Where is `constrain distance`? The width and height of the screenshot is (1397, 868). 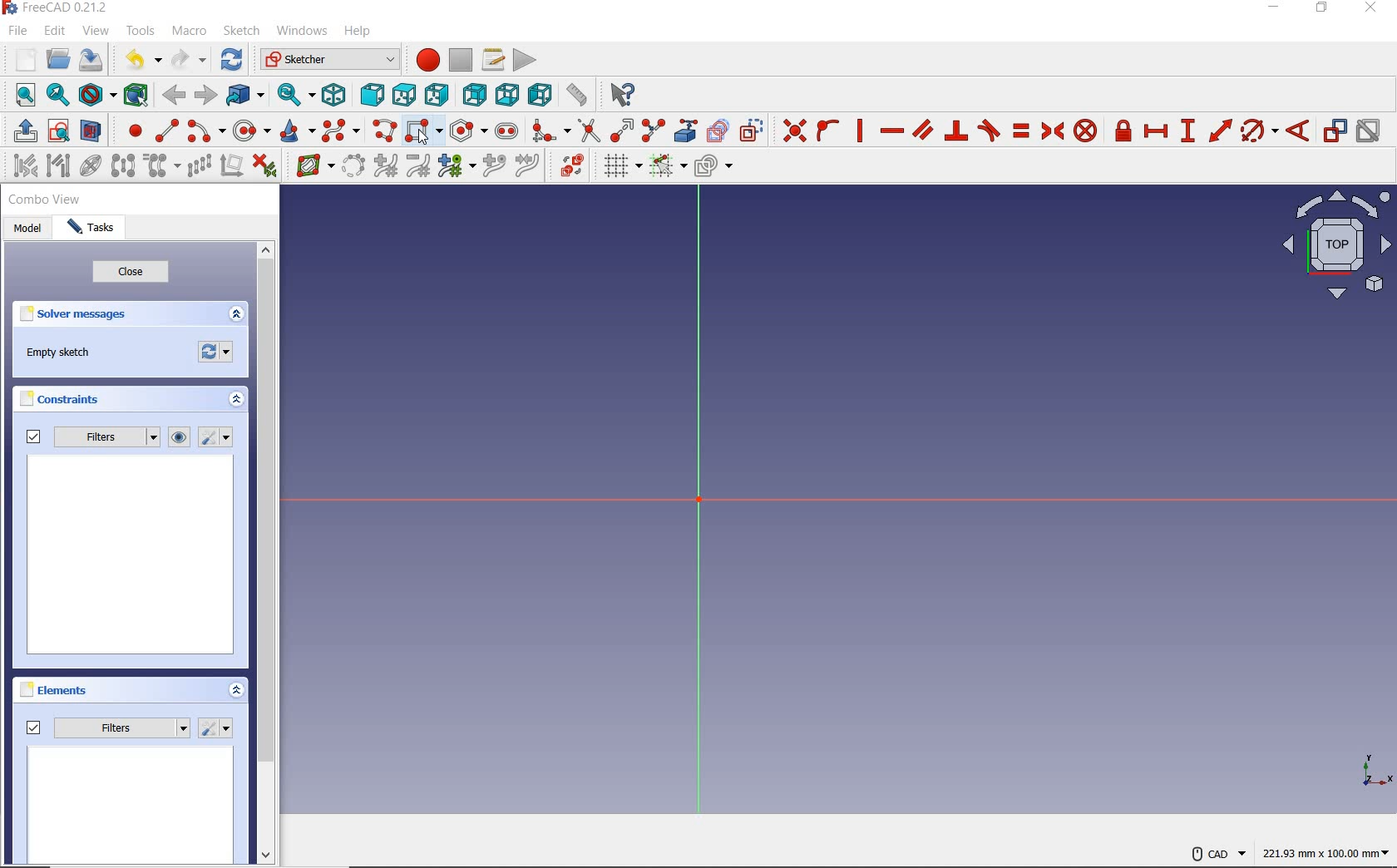
constrain distance is located at coordinates (1219, 131).